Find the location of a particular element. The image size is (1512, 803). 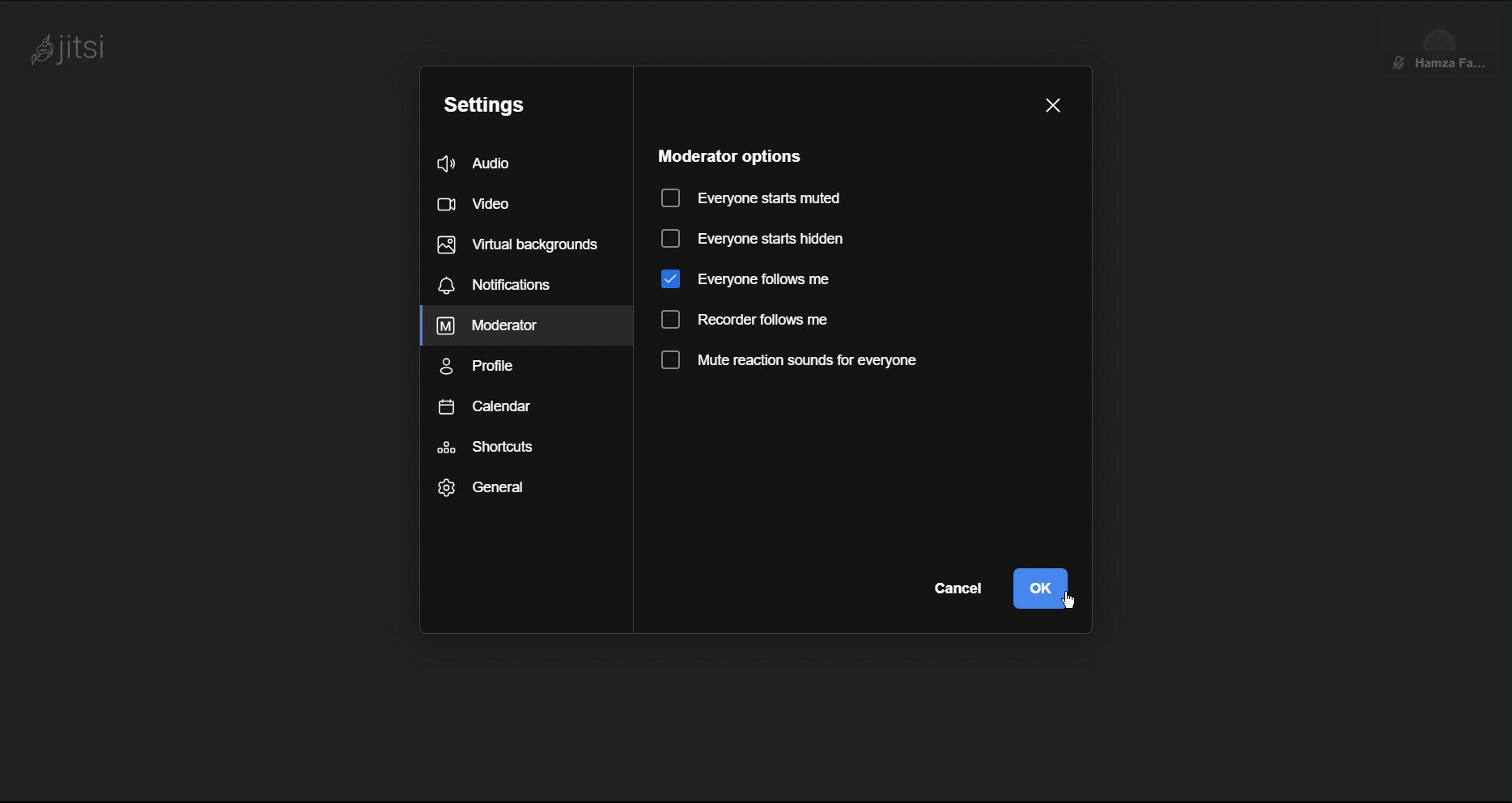

Settings is located at coordinates (488, 101).